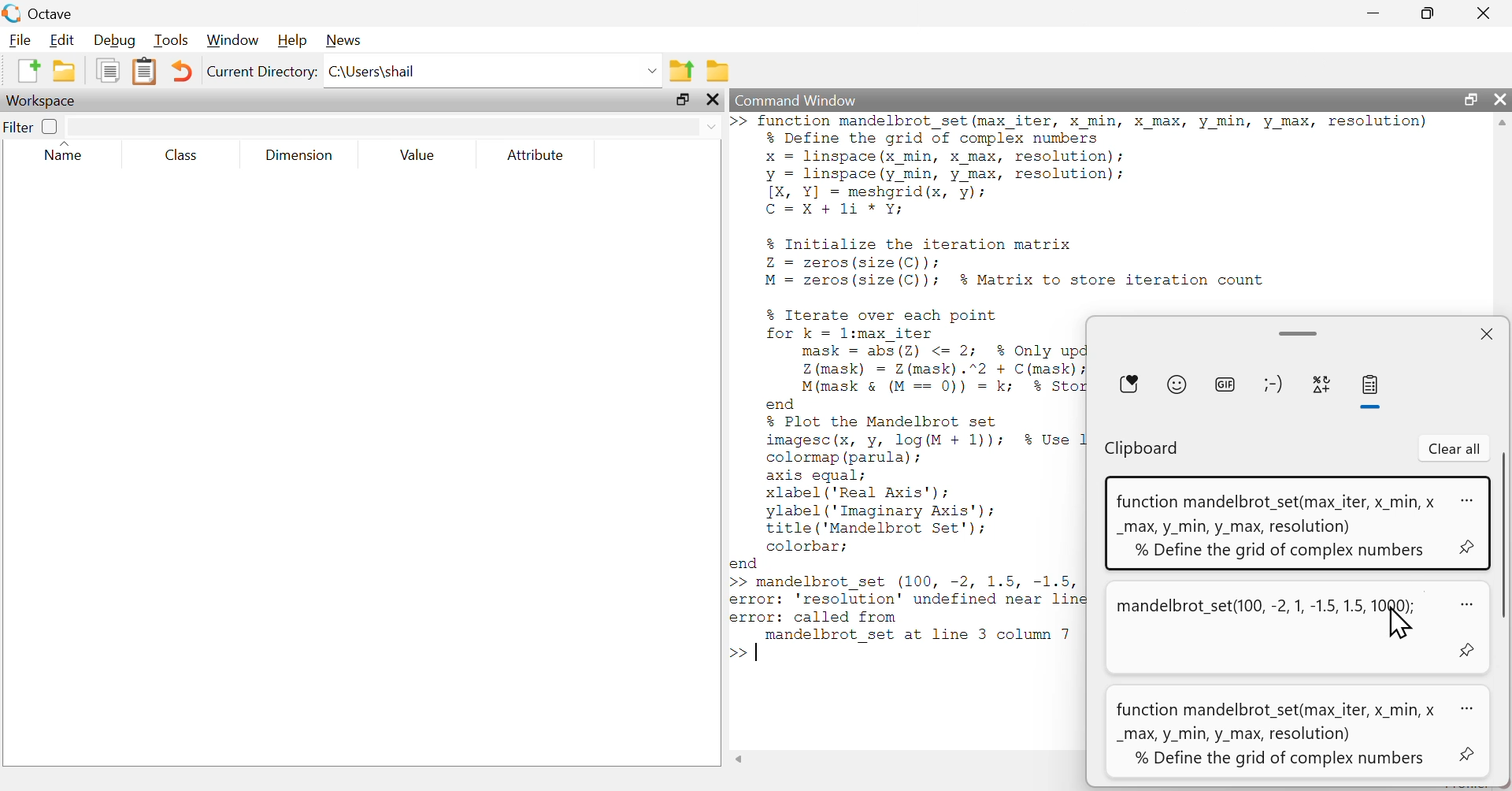 This screenshot has height=791, width=1512. What do you see at coordinates (46, 101) in the screenshot?
I see `Workspace` at bounding box center [46, 101].